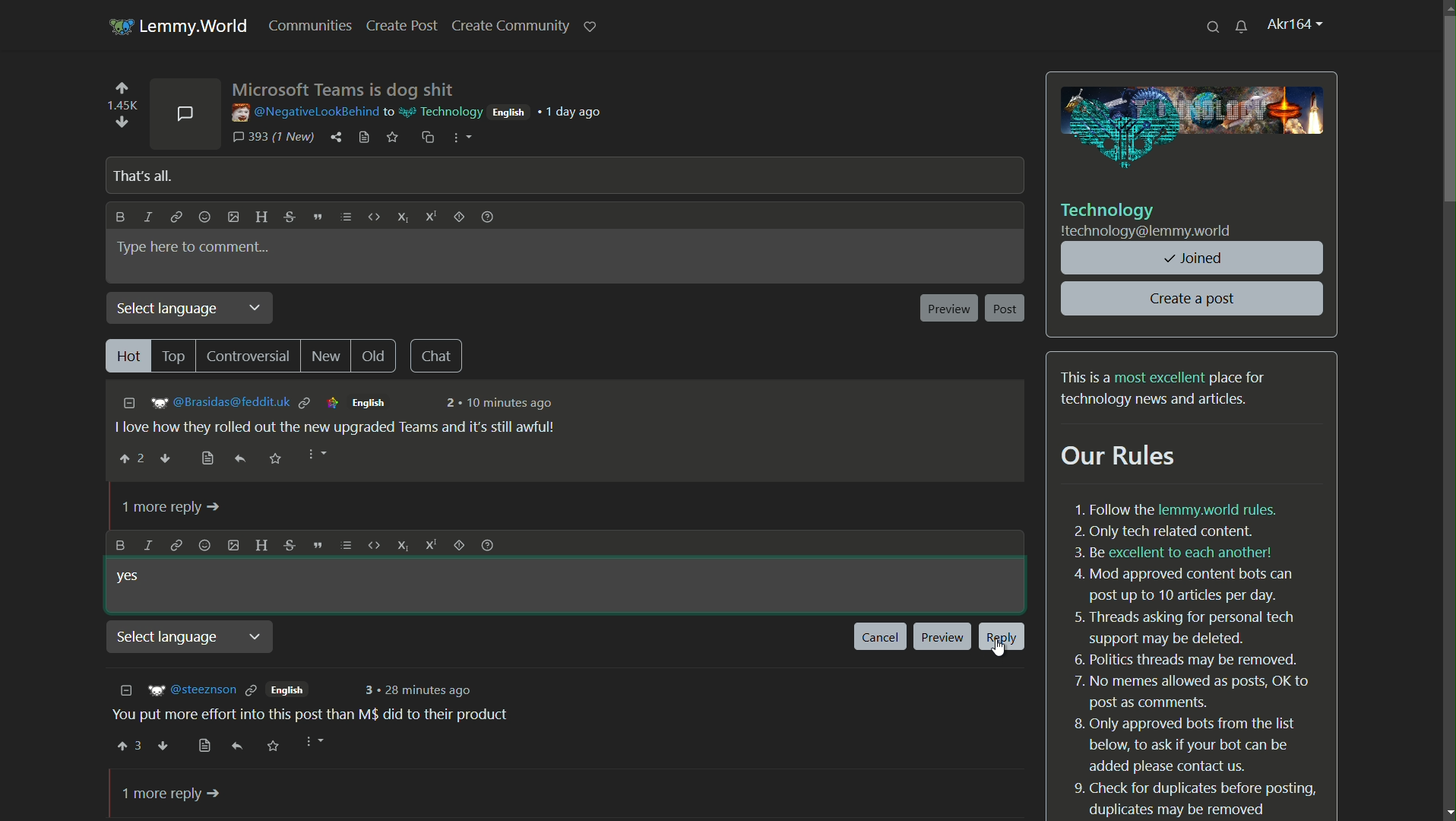 This screenshot has width=1456, height=821. I want to click on create a post, so click(1194, 299).